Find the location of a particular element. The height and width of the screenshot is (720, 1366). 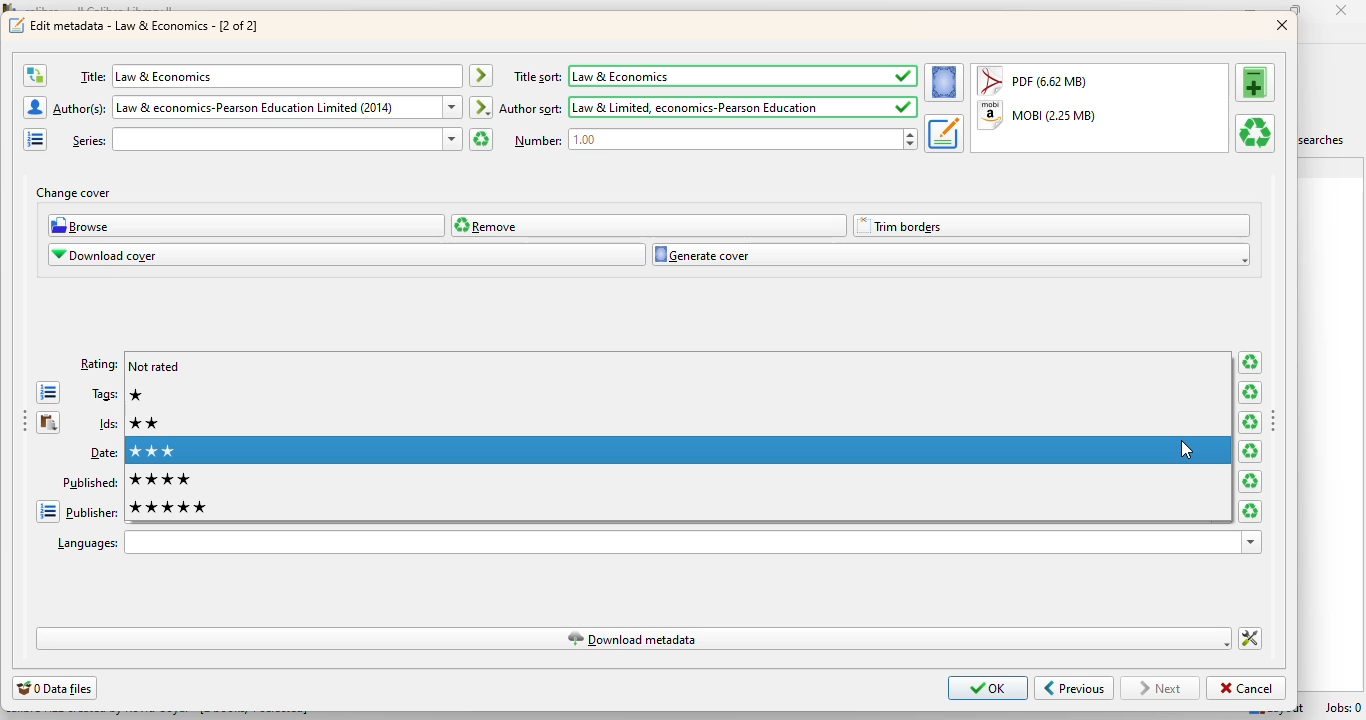

previous is located at coordinates (1074, 689).